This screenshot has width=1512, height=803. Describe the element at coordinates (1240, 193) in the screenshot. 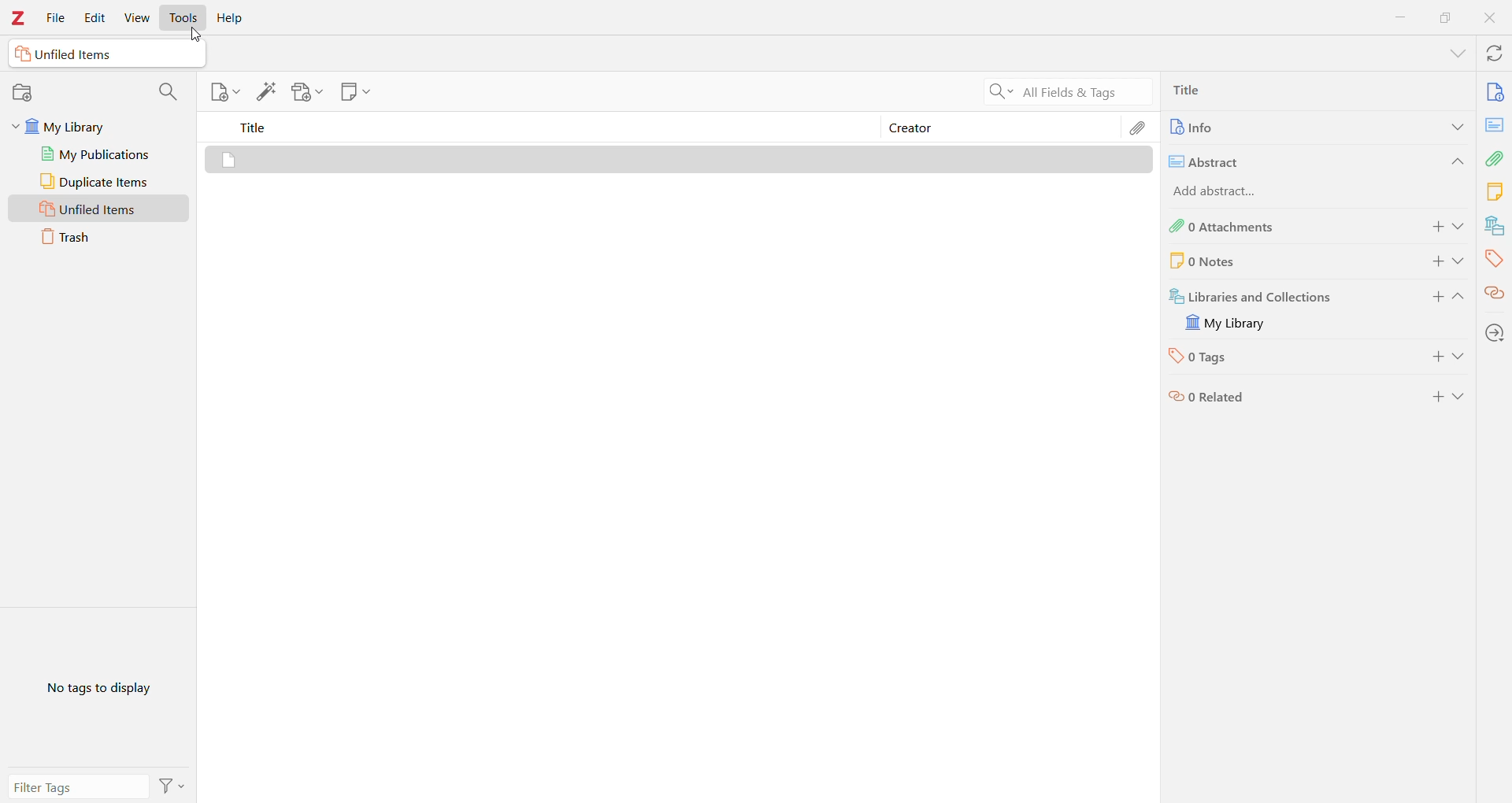

I see `Add abstract` at that location.